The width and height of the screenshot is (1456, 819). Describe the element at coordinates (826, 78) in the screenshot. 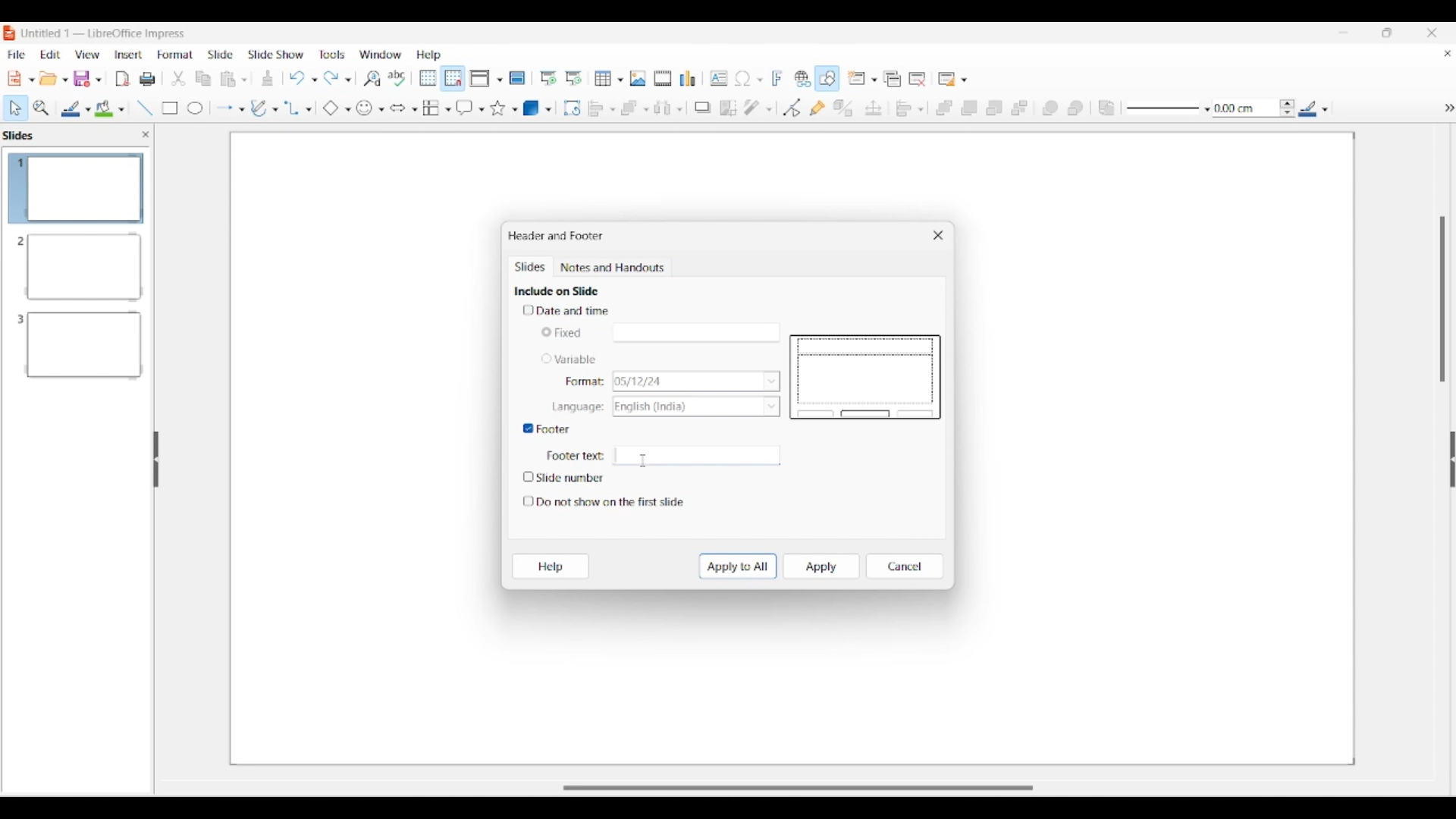

I see `Show draw functions, highlighted` at that location.